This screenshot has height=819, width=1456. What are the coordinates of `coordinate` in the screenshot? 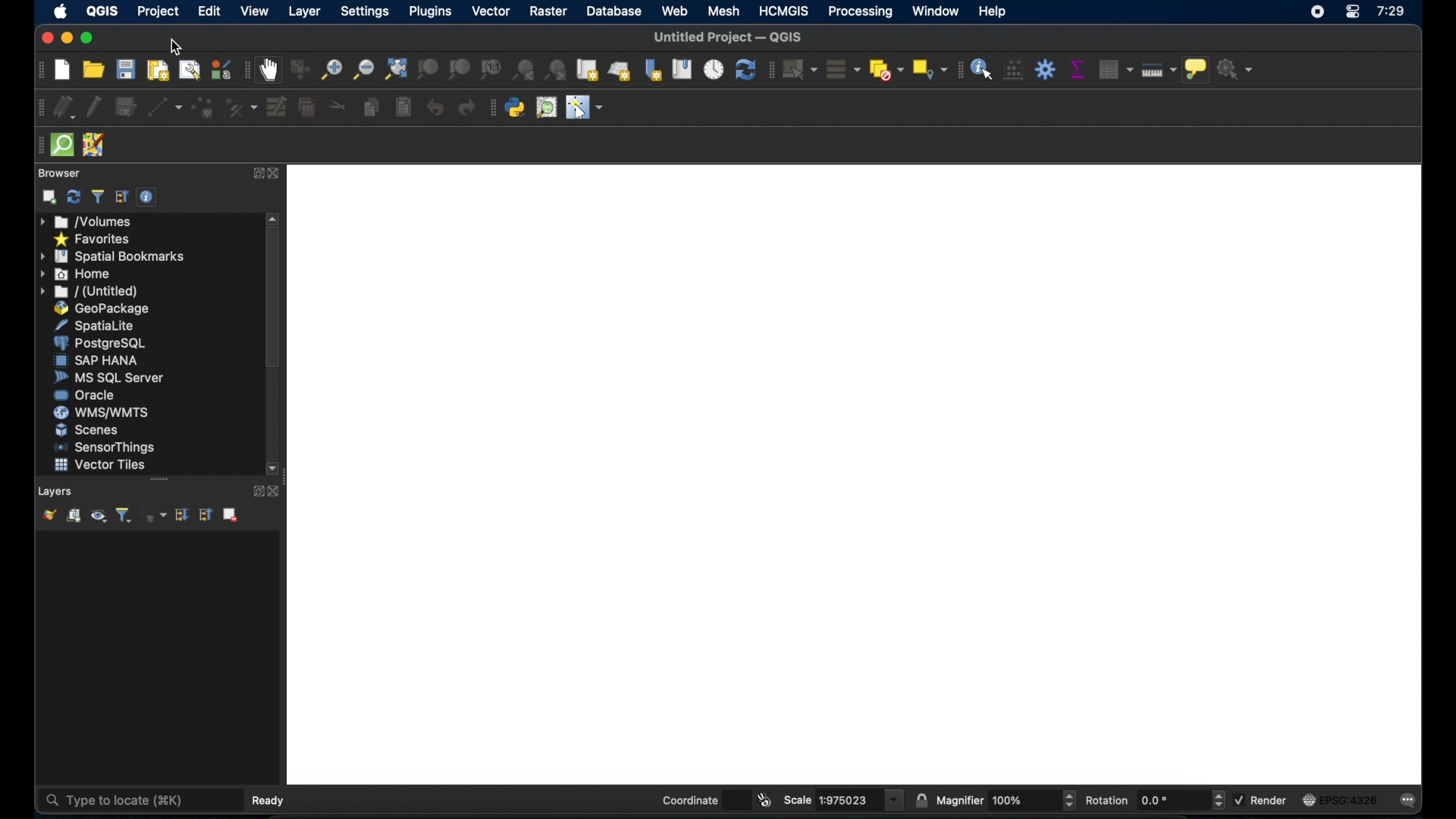 It's located at (688, 799).